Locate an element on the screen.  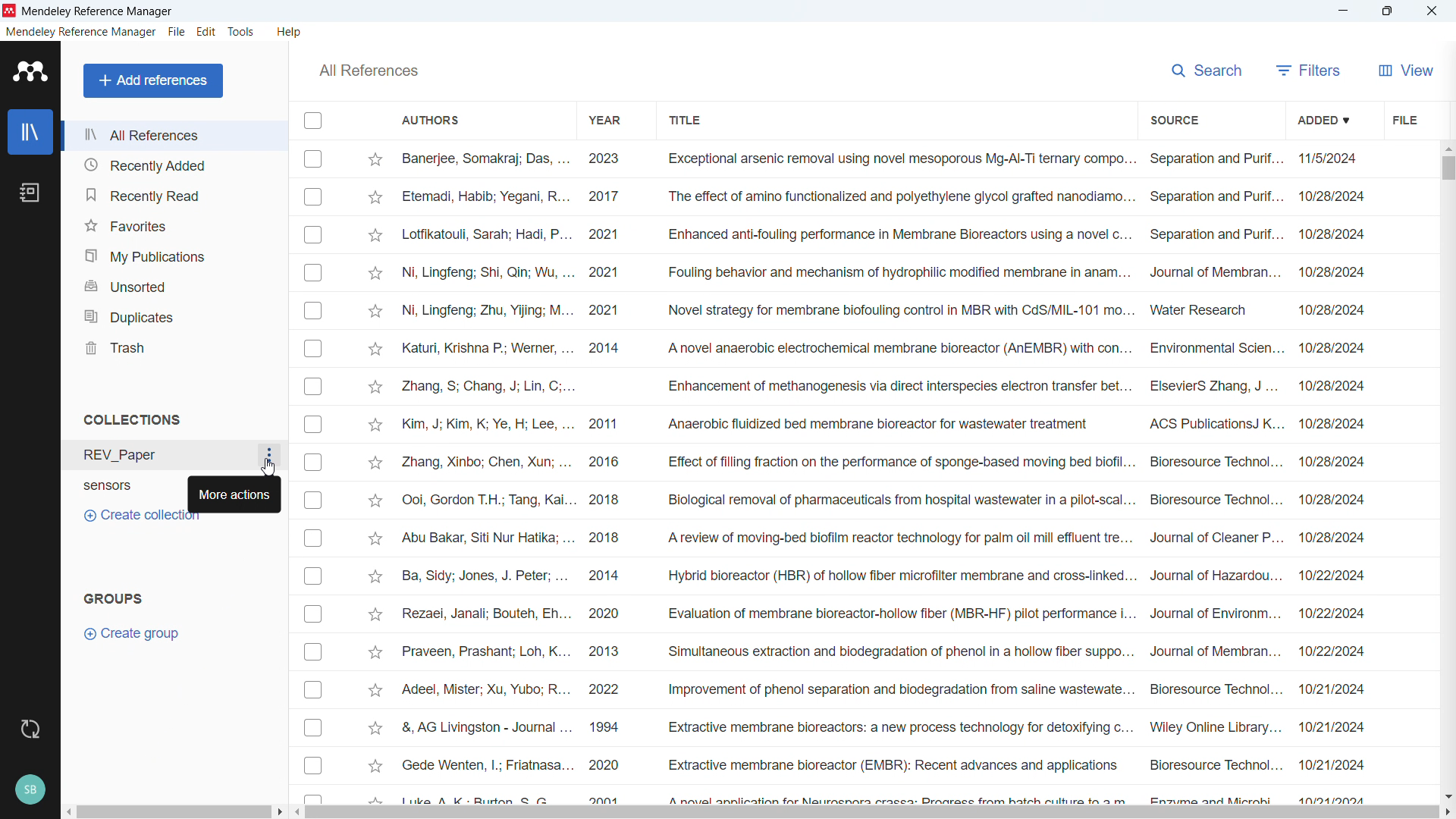
Added is located at coordinates (1326, 118).